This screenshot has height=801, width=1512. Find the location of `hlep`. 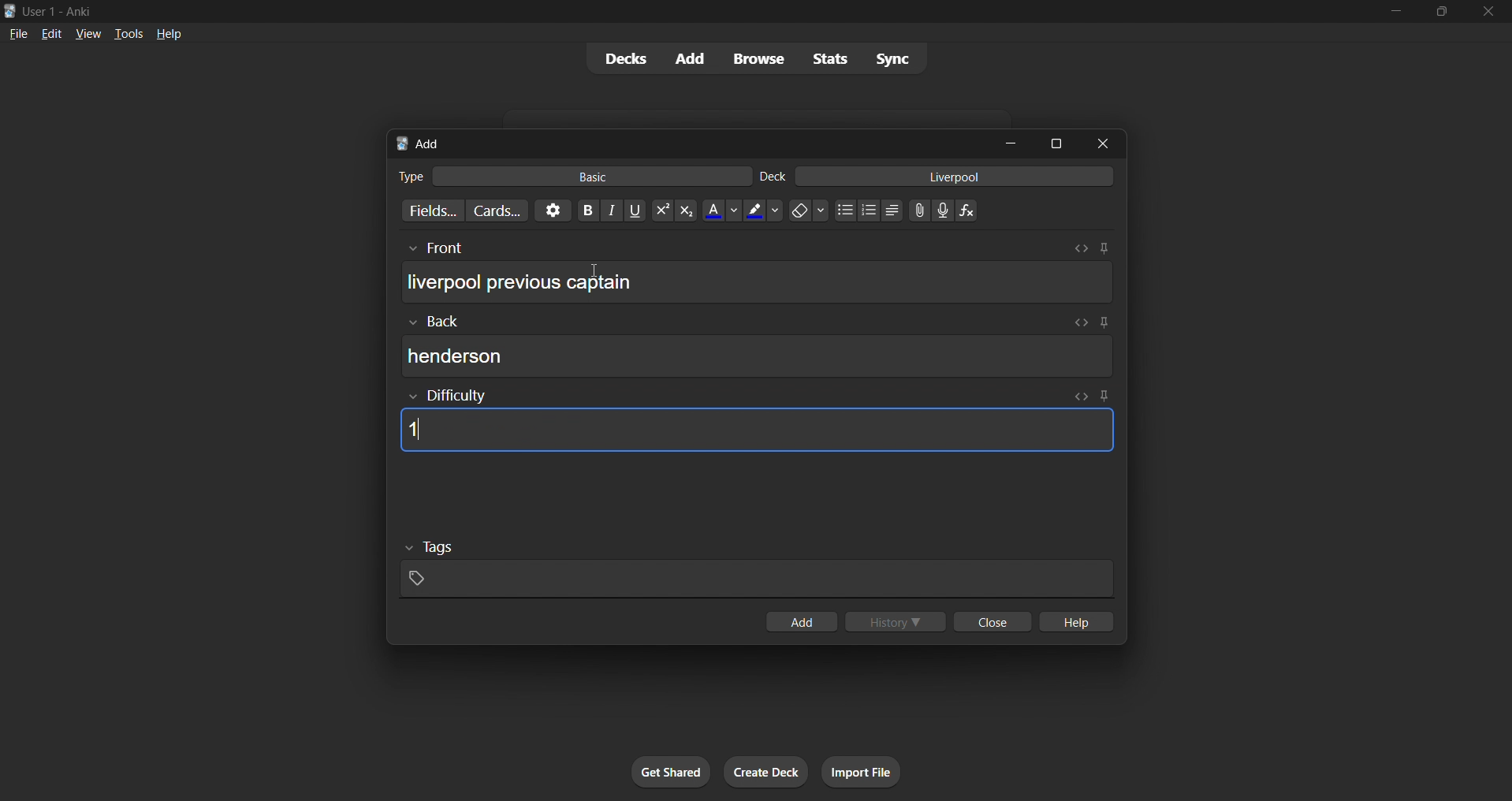

hlep is located at coordinates (1078, 623).